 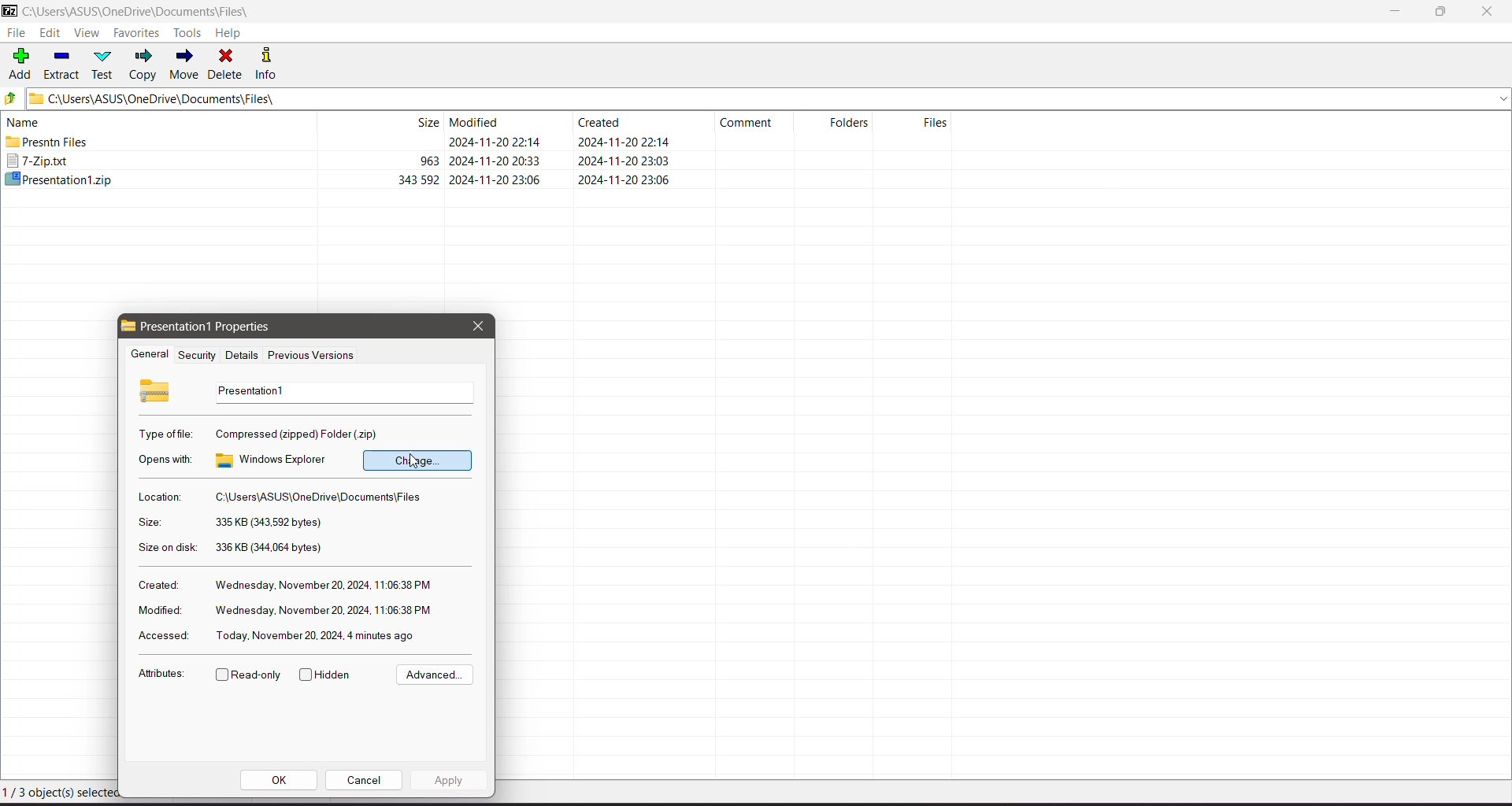 I want to click on OK, so click(x=280, y=780).